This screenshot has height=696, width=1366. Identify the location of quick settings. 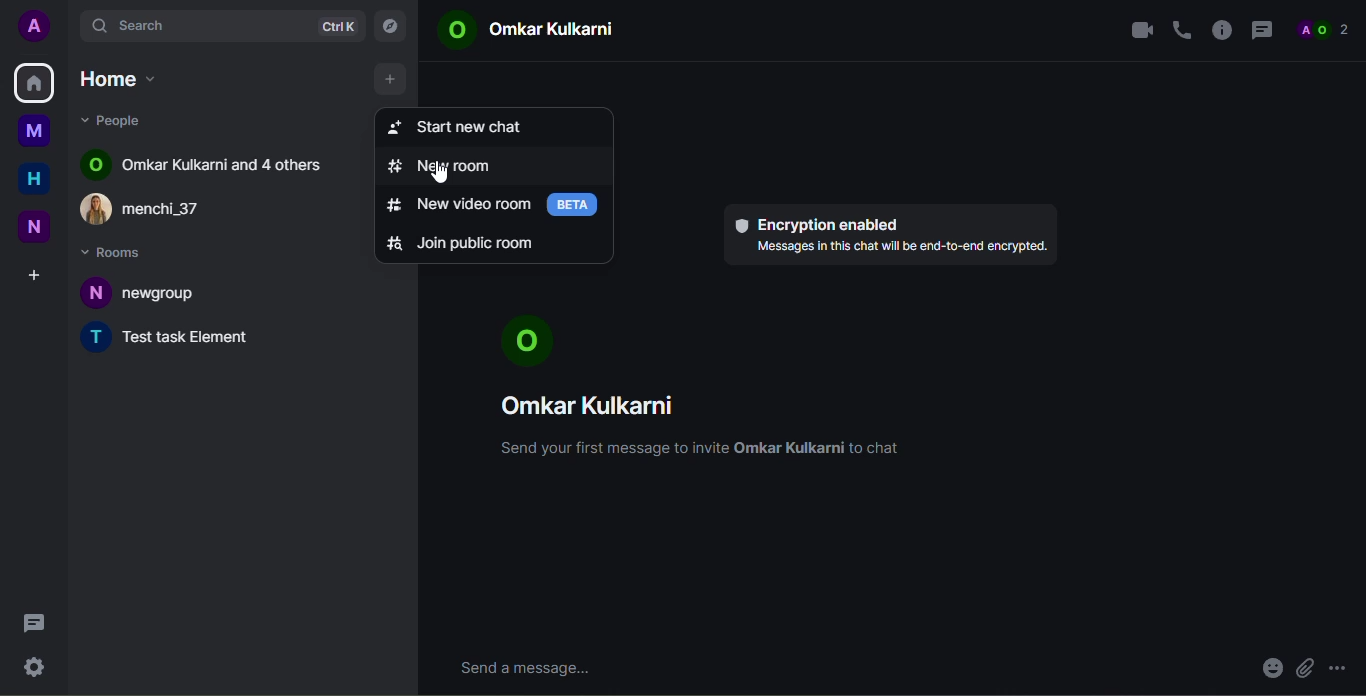
(33, 664).